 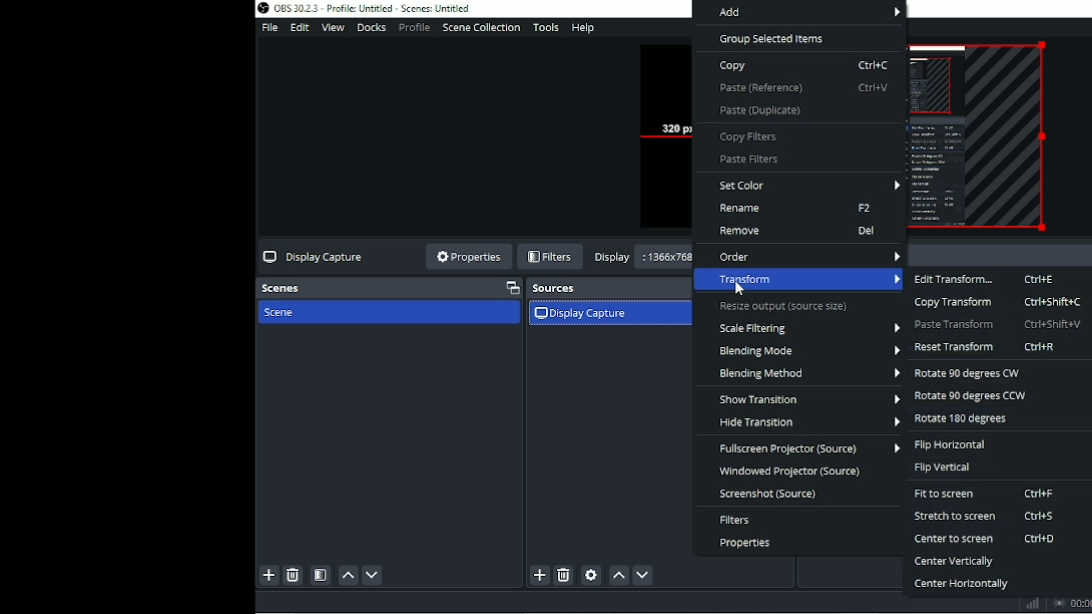 I want to click on Edit transform, so click(x=985, y=277).